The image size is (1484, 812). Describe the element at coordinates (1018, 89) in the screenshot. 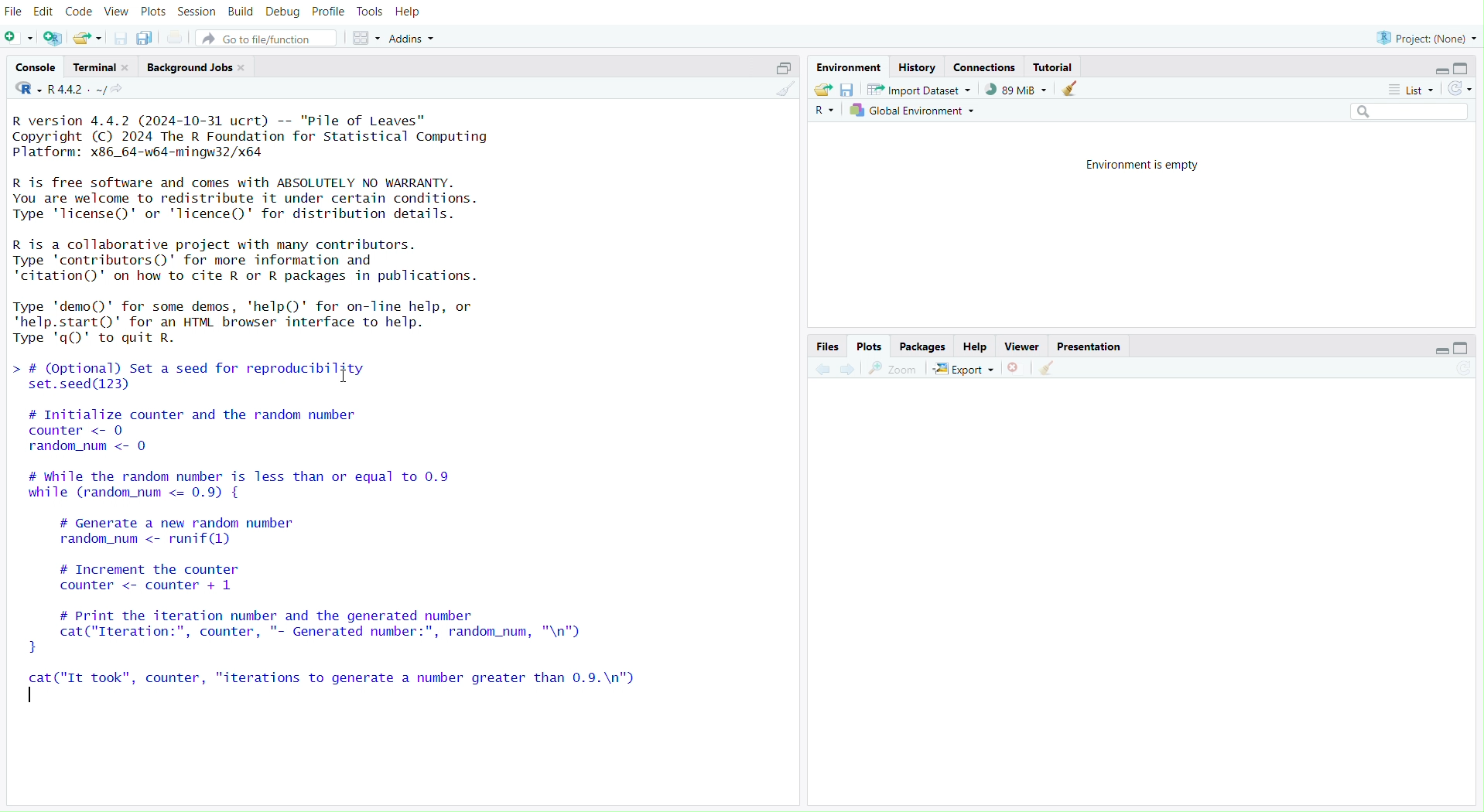

I see `89kib used by R session (Source: Windows System)` at that location.